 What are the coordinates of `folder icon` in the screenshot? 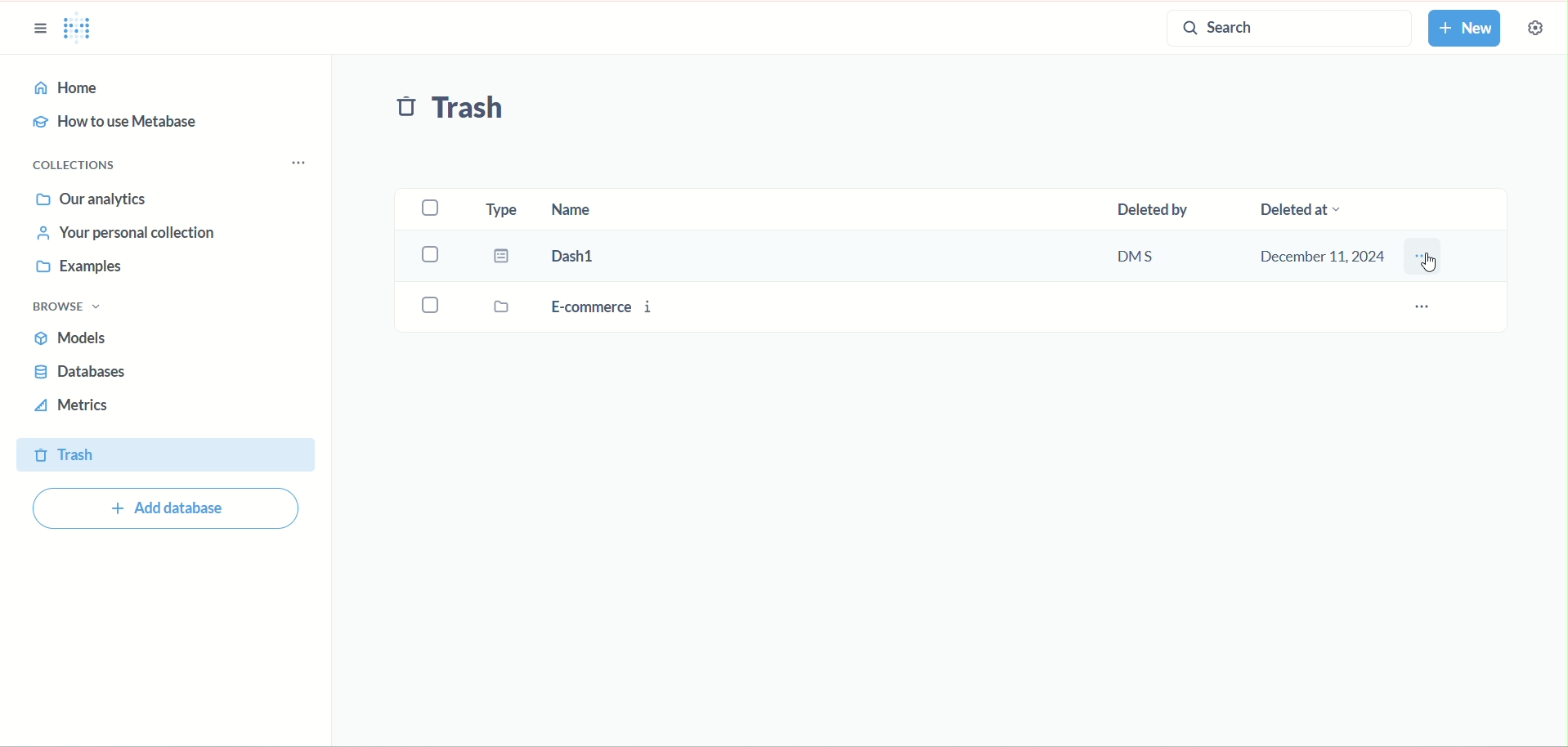 It's located at (508, 309).